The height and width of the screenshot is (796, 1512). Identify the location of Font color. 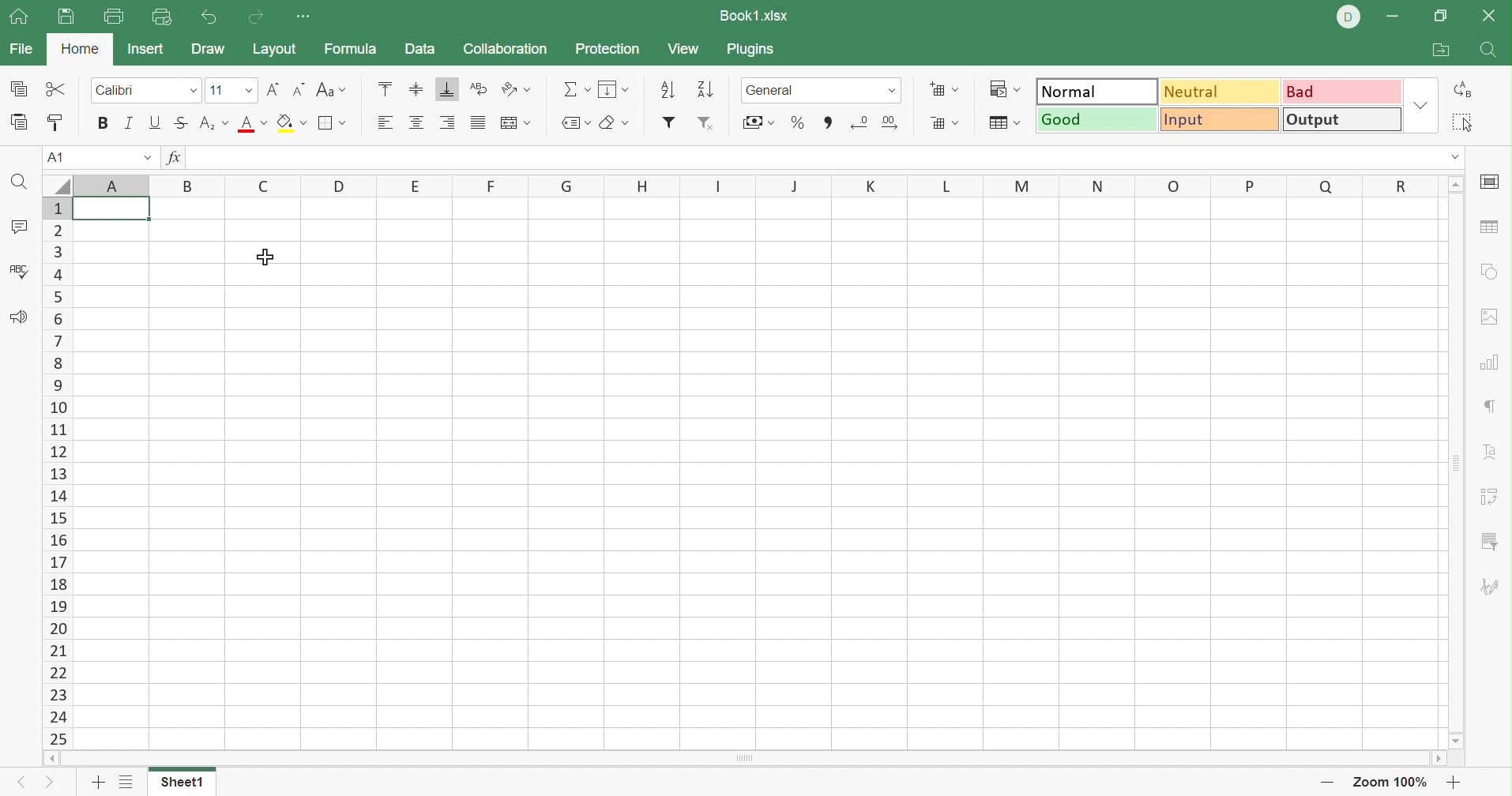
(254, 122).